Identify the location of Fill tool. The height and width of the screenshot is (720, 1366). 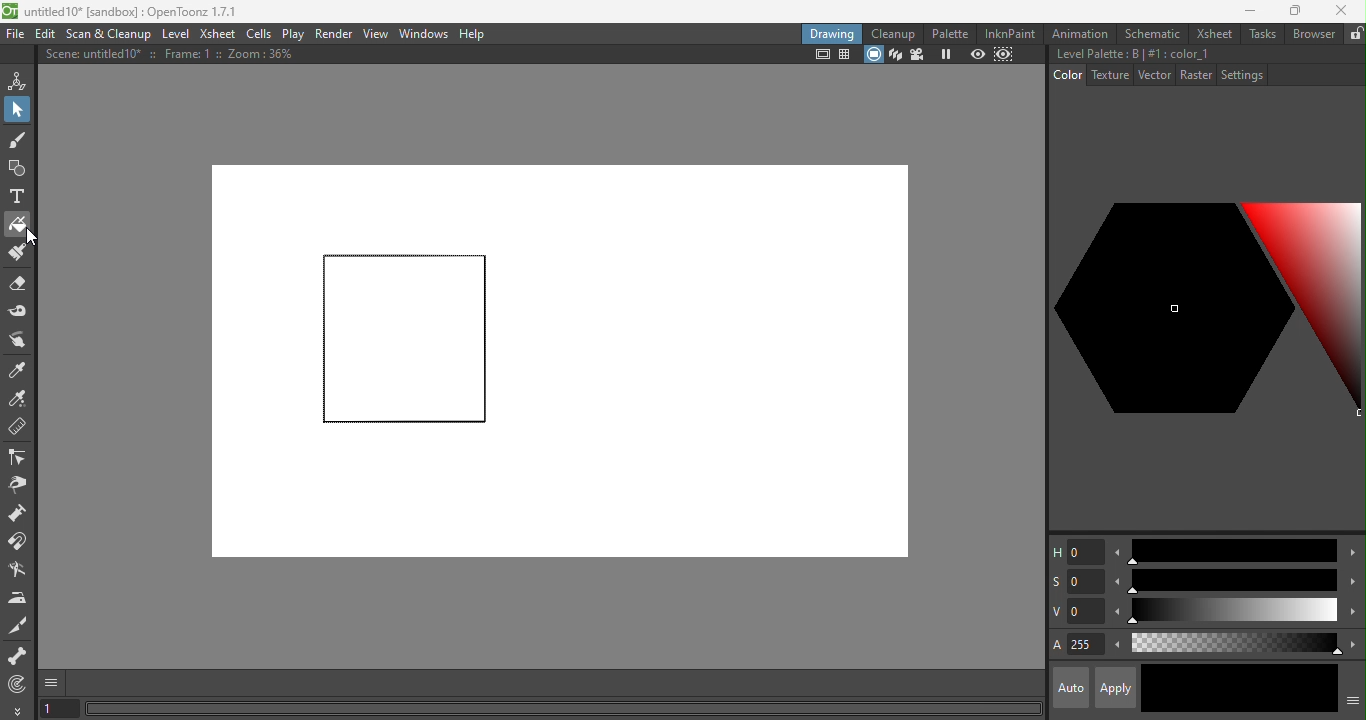
(17, 223).